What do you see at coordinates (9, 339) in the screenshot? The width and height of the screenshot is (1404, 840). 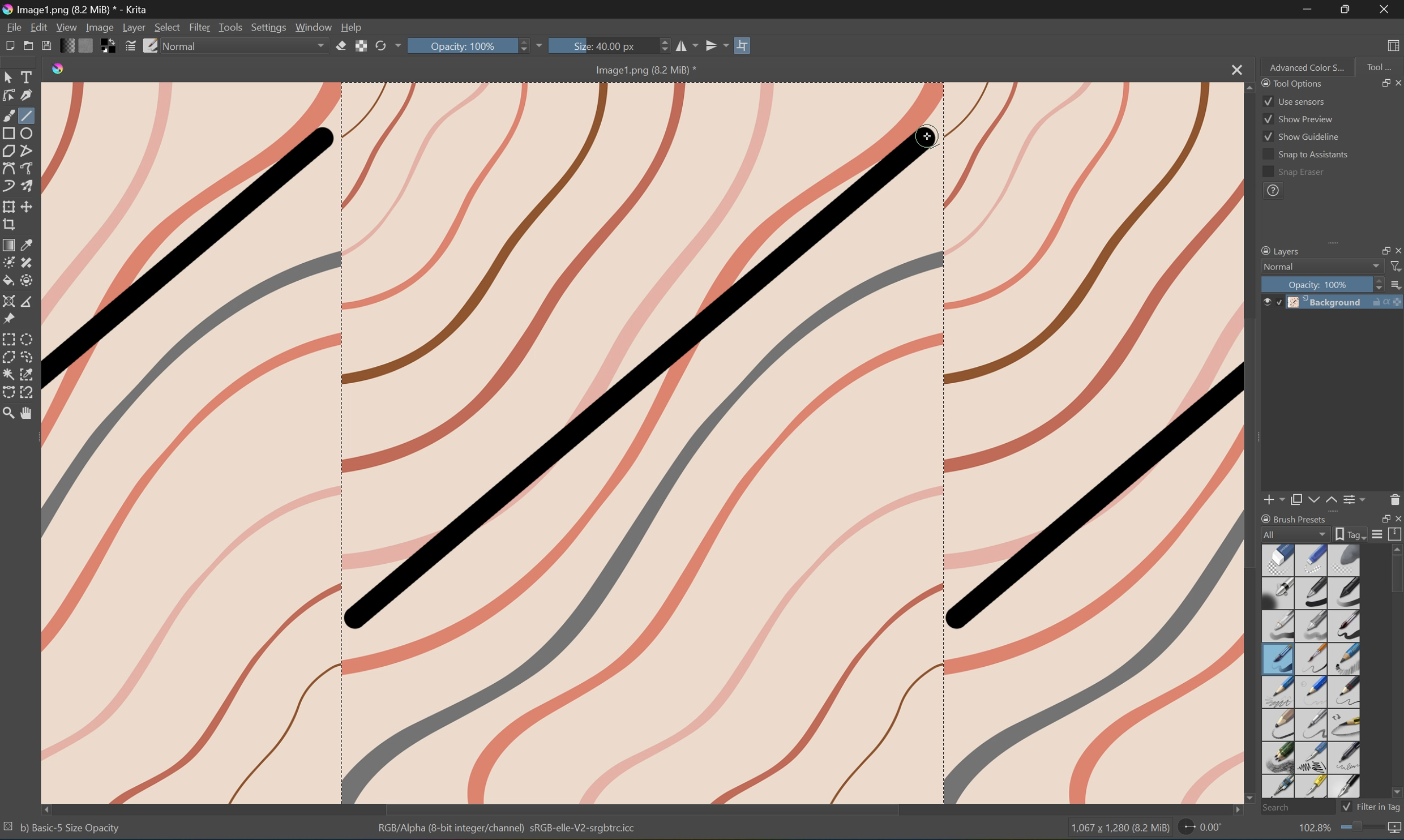 I see `Rectangular selection` at bounding box center [9, 339].